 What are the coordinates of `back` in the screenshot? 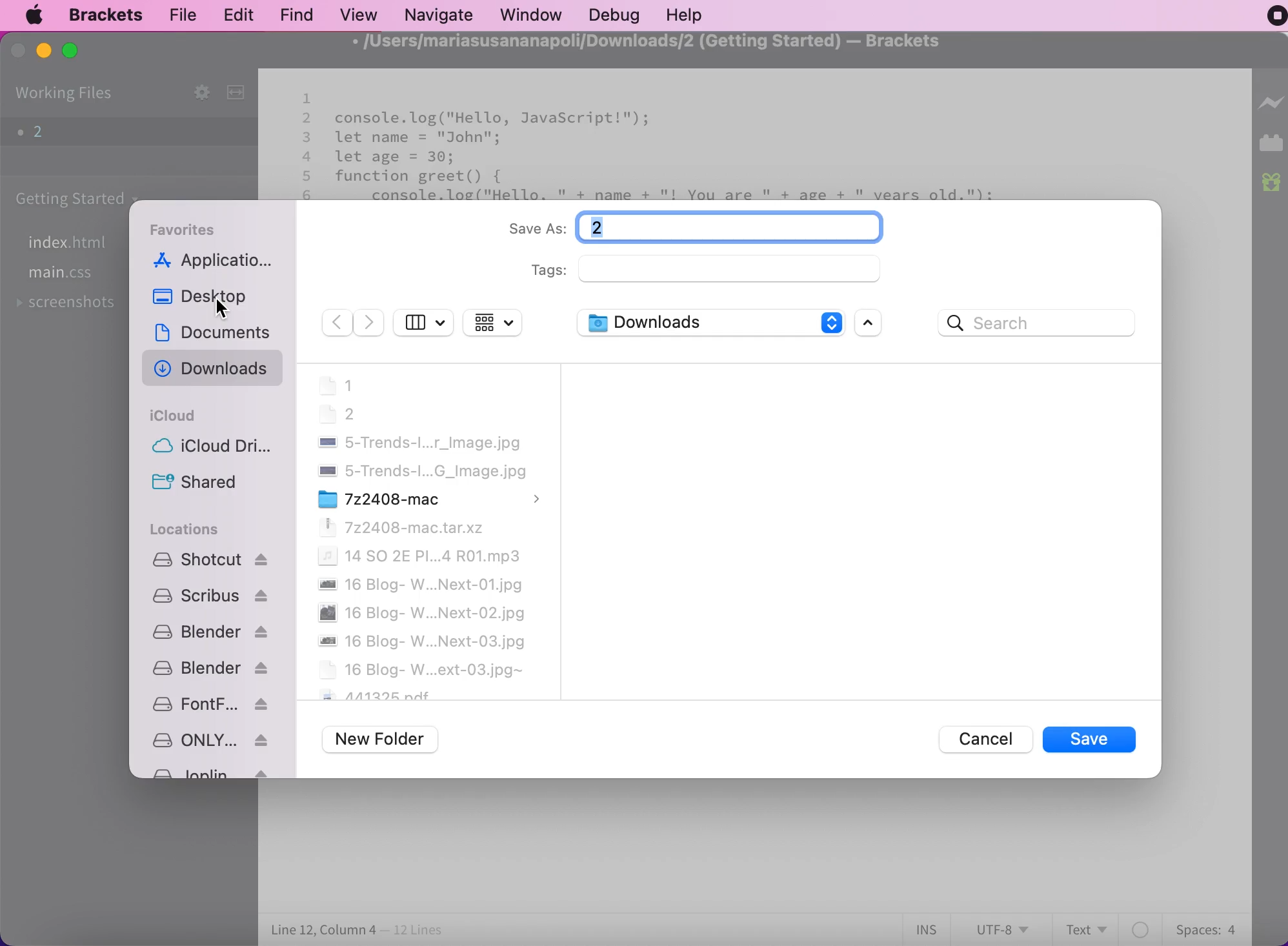 It's located at (334, 323).